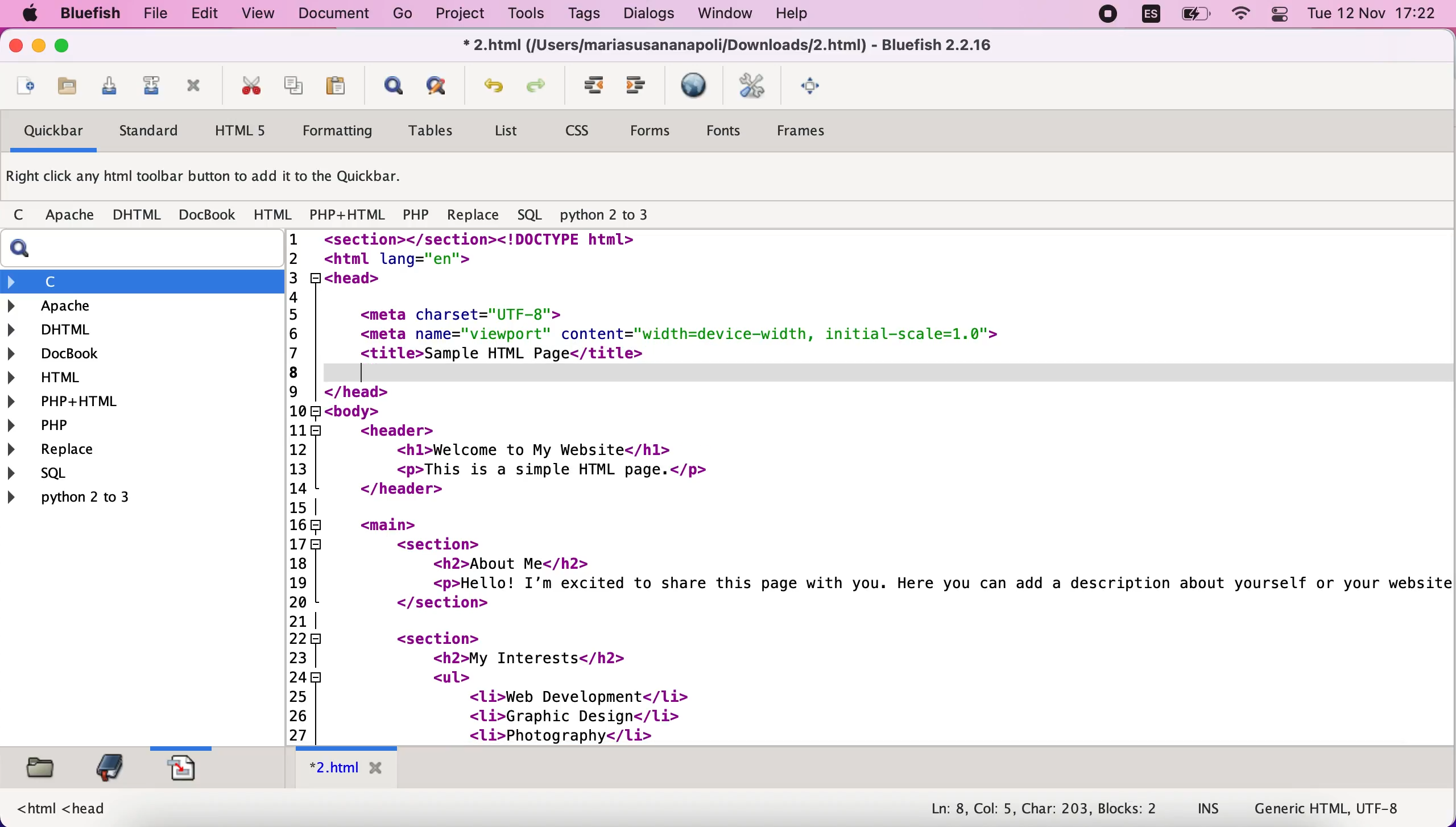 The width and height of the screenshot is (1456, 827). I want to click on dialogs, so click(648, 15).